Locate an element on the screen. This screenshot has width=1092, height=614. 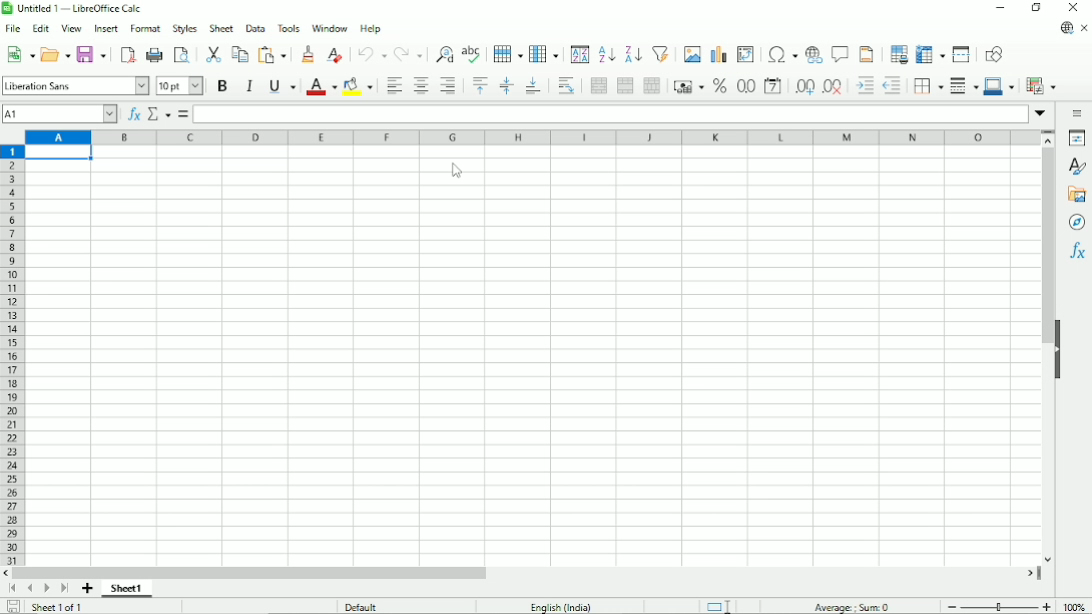
Increase indent is located at coordinates (863, 87).